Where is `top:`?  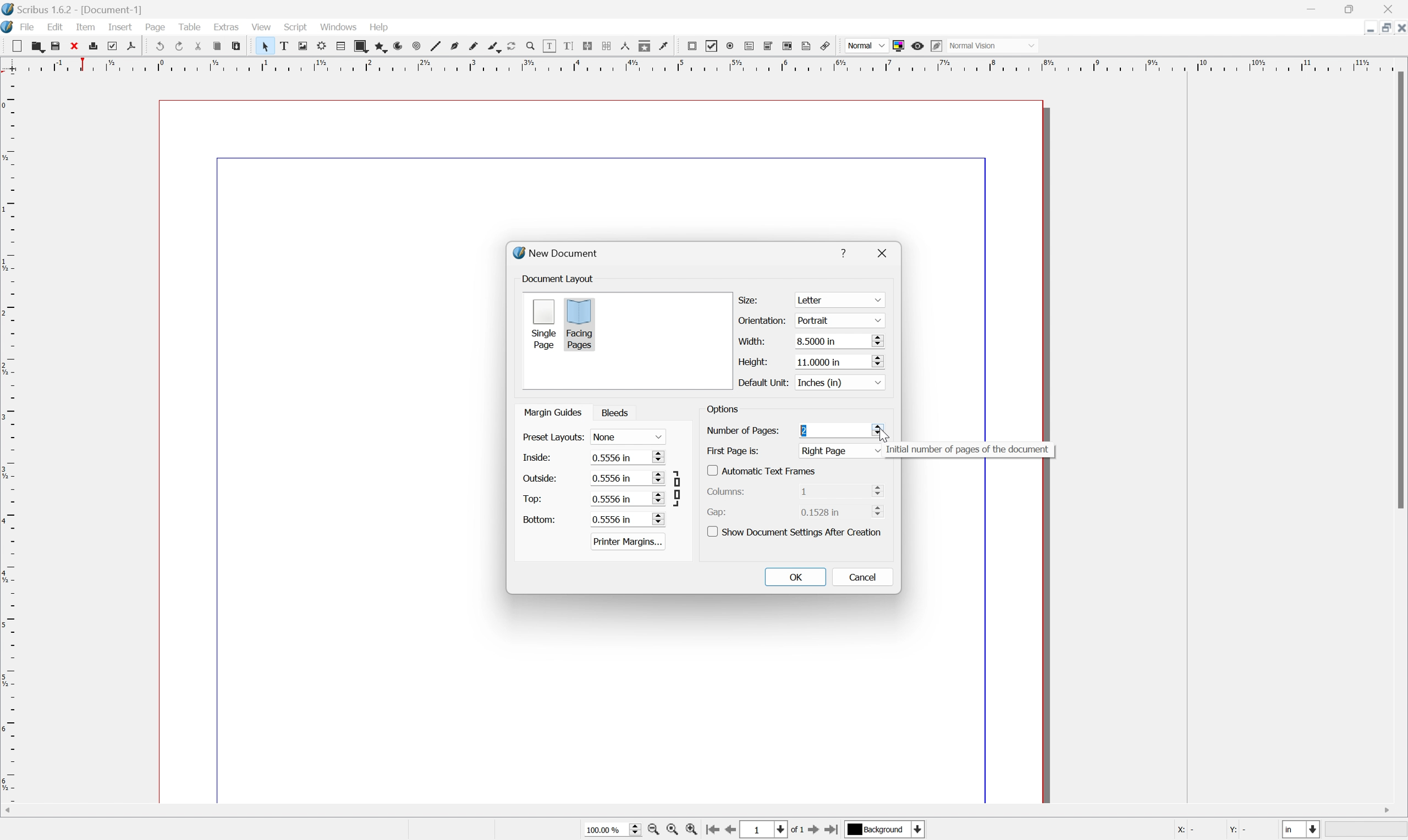 top: is located at coordinates (533, 498).